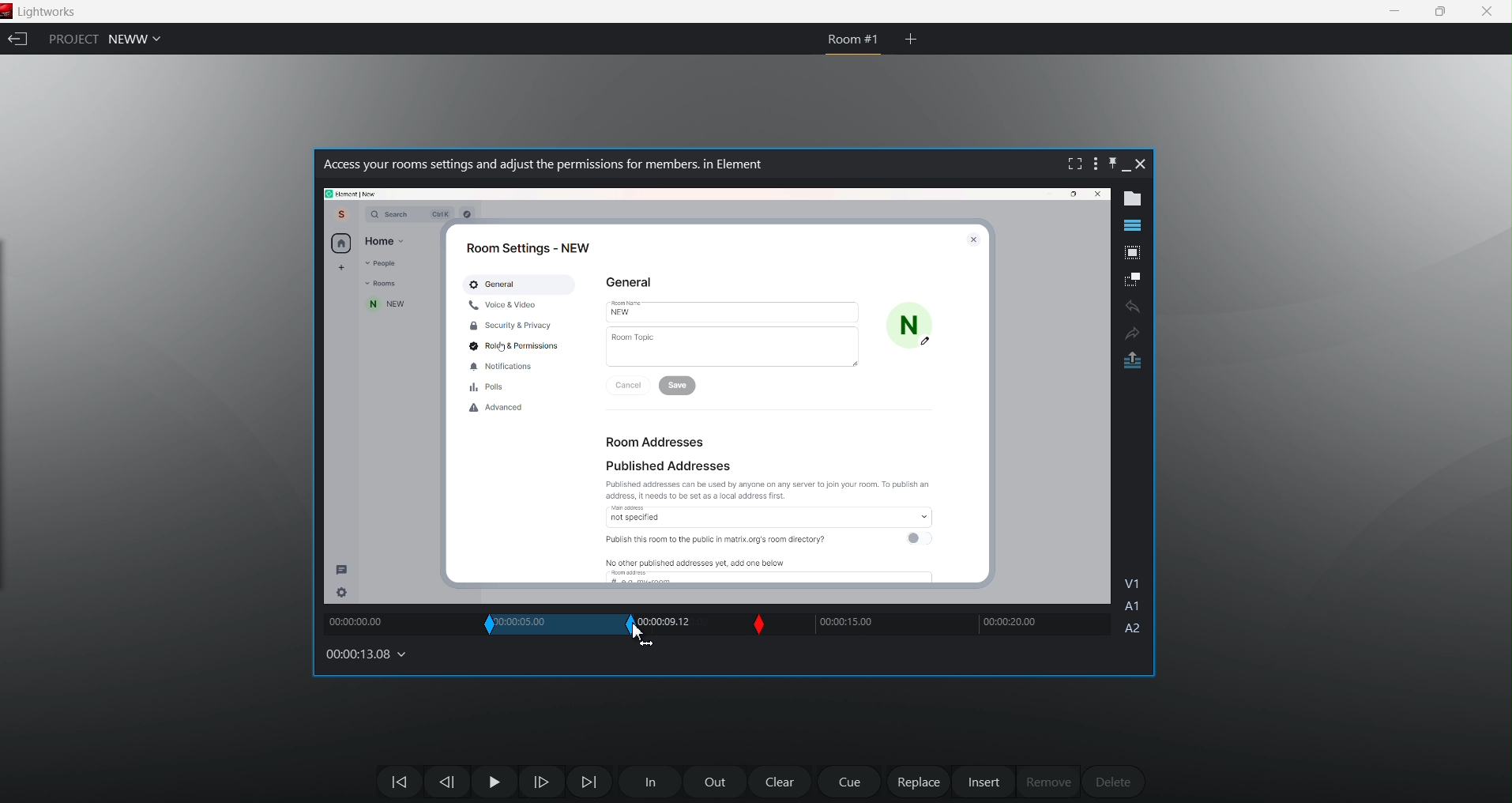 This screenshot has width=1512, height=803. I want to click on Move Forward, so click(589, 780).